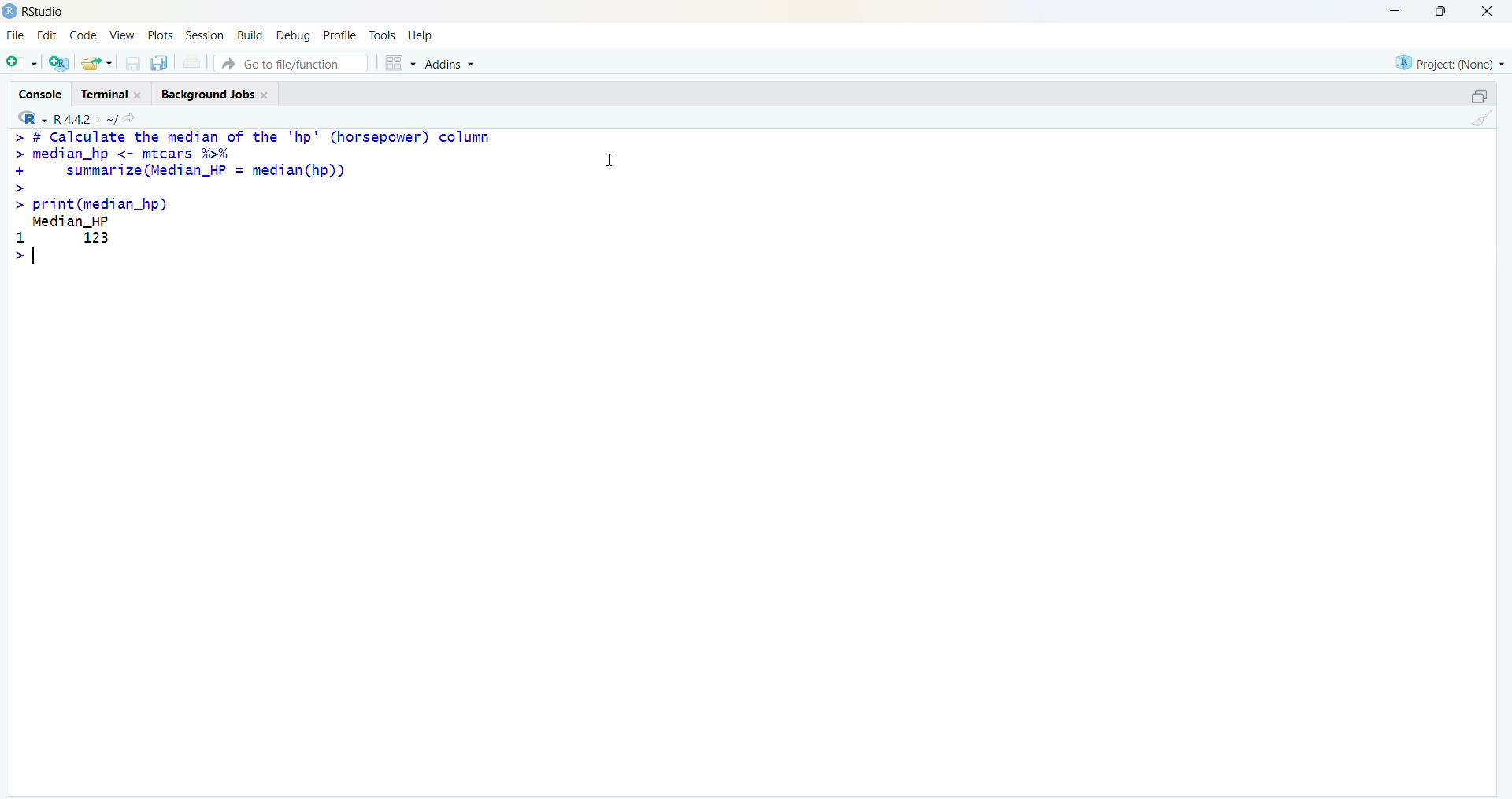 This screenshot has height=799, width=1512. Describe the element at coordinates (139, 95) in the screenshot. I see `Close ` at that location.